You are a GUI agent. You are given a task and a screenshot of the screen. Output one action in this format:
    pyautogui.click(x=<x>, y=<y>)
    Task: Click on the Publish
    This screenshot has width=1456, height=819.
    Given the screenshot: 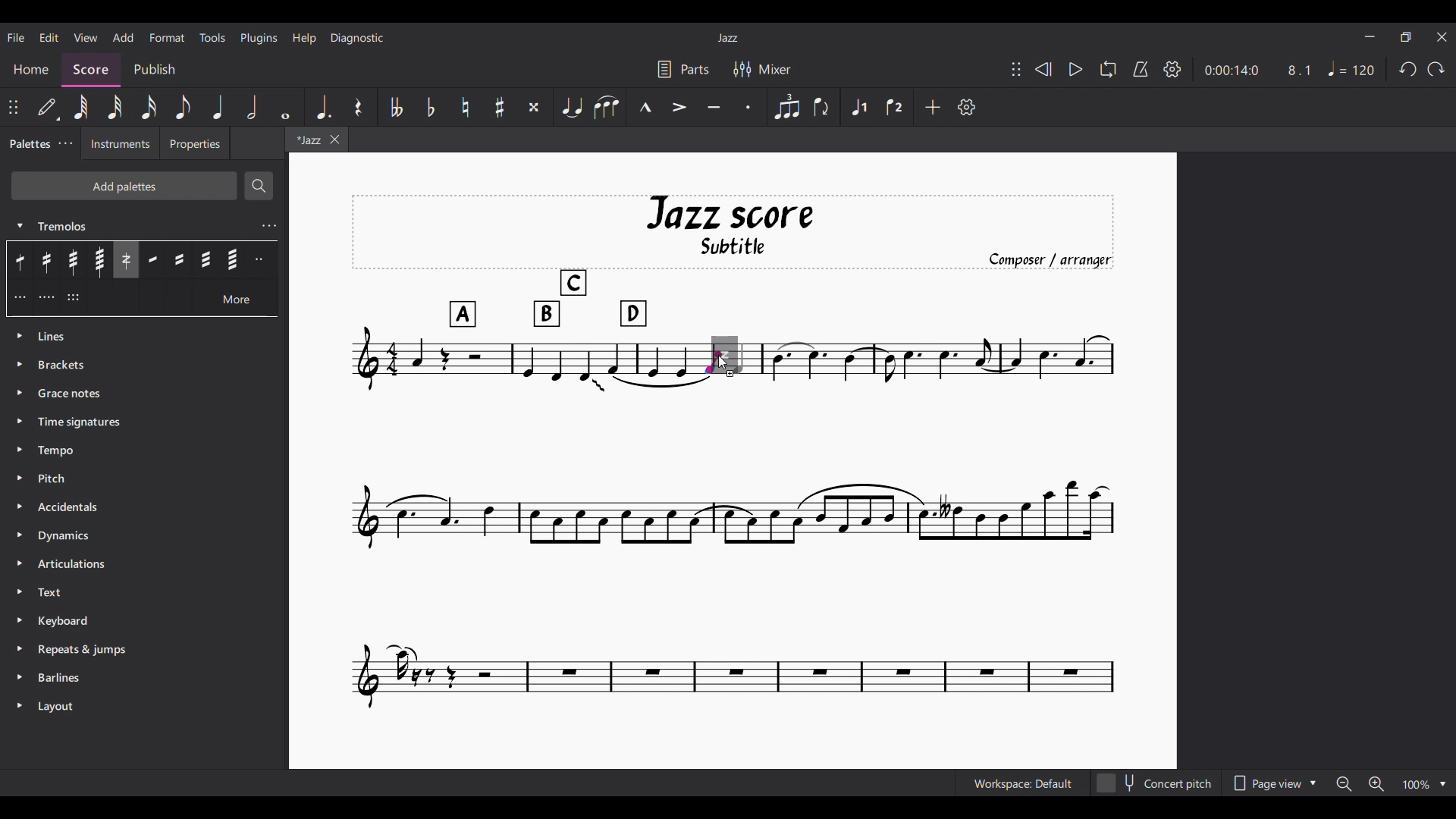 What is the action you would take?
    pyautogui.click(x=155, y=69)
    